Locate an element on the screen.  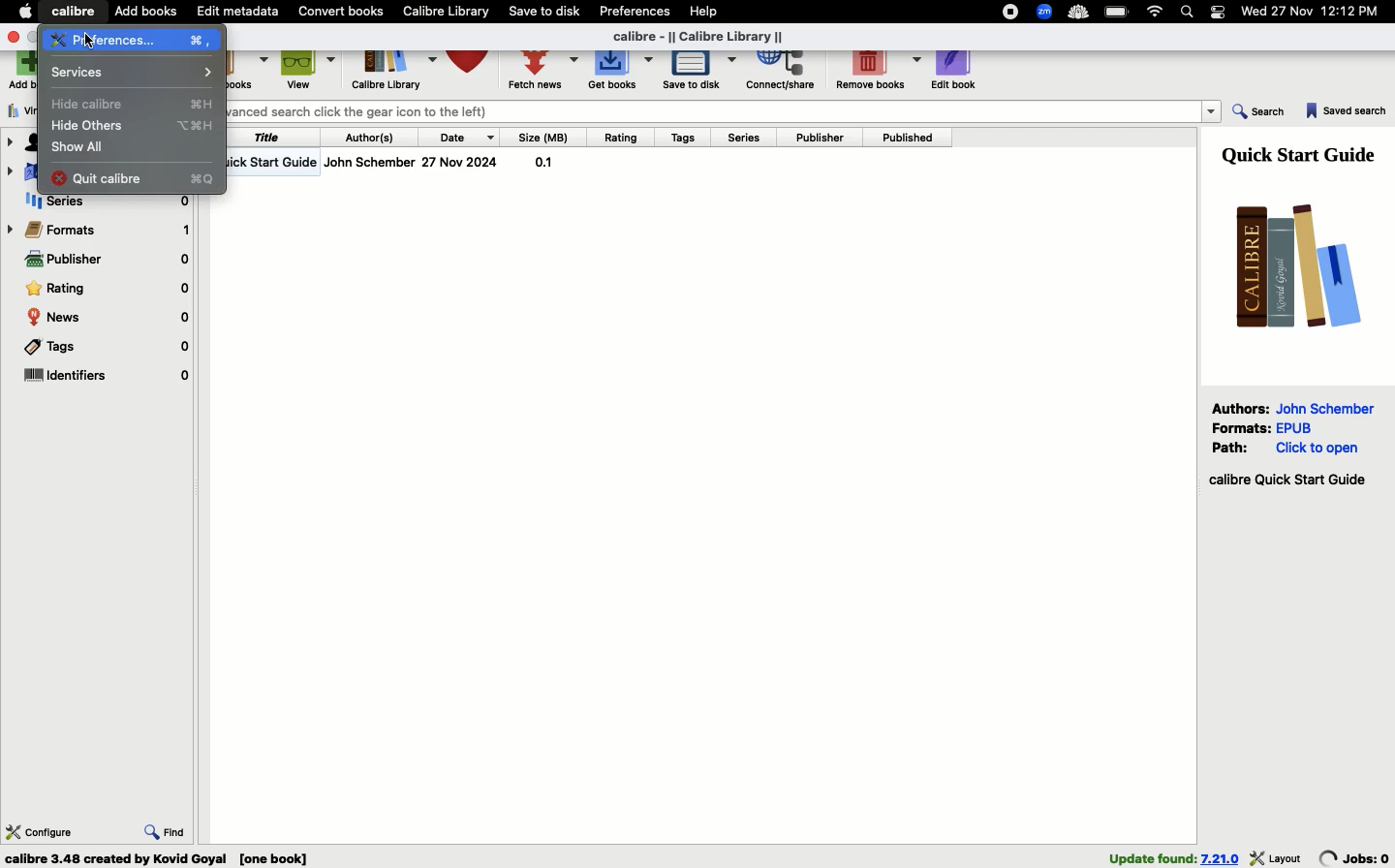
Close is located at coordinates (13, 36).